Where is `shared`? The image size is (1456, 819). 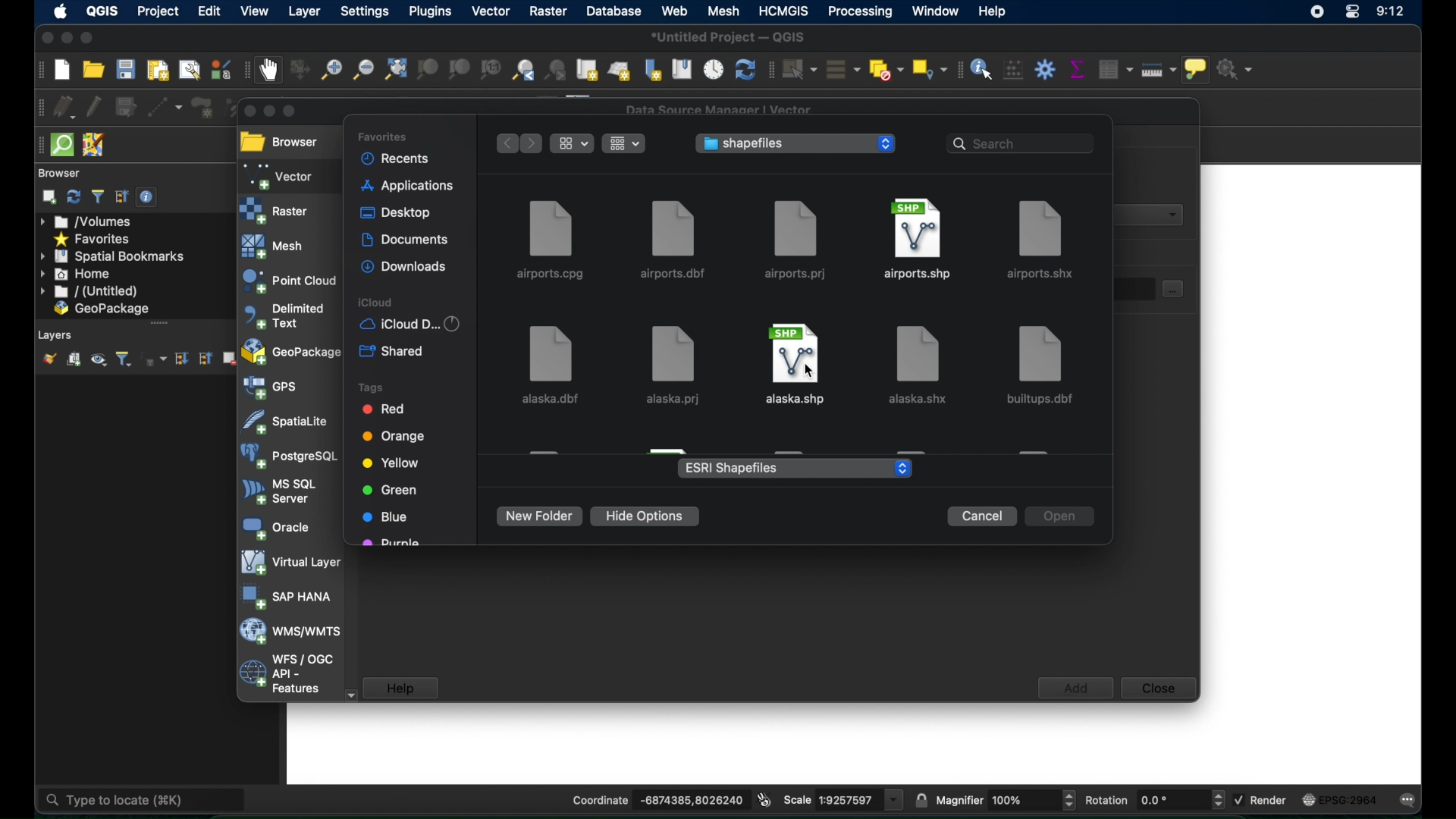 shared is located at coordinates (391, 350).